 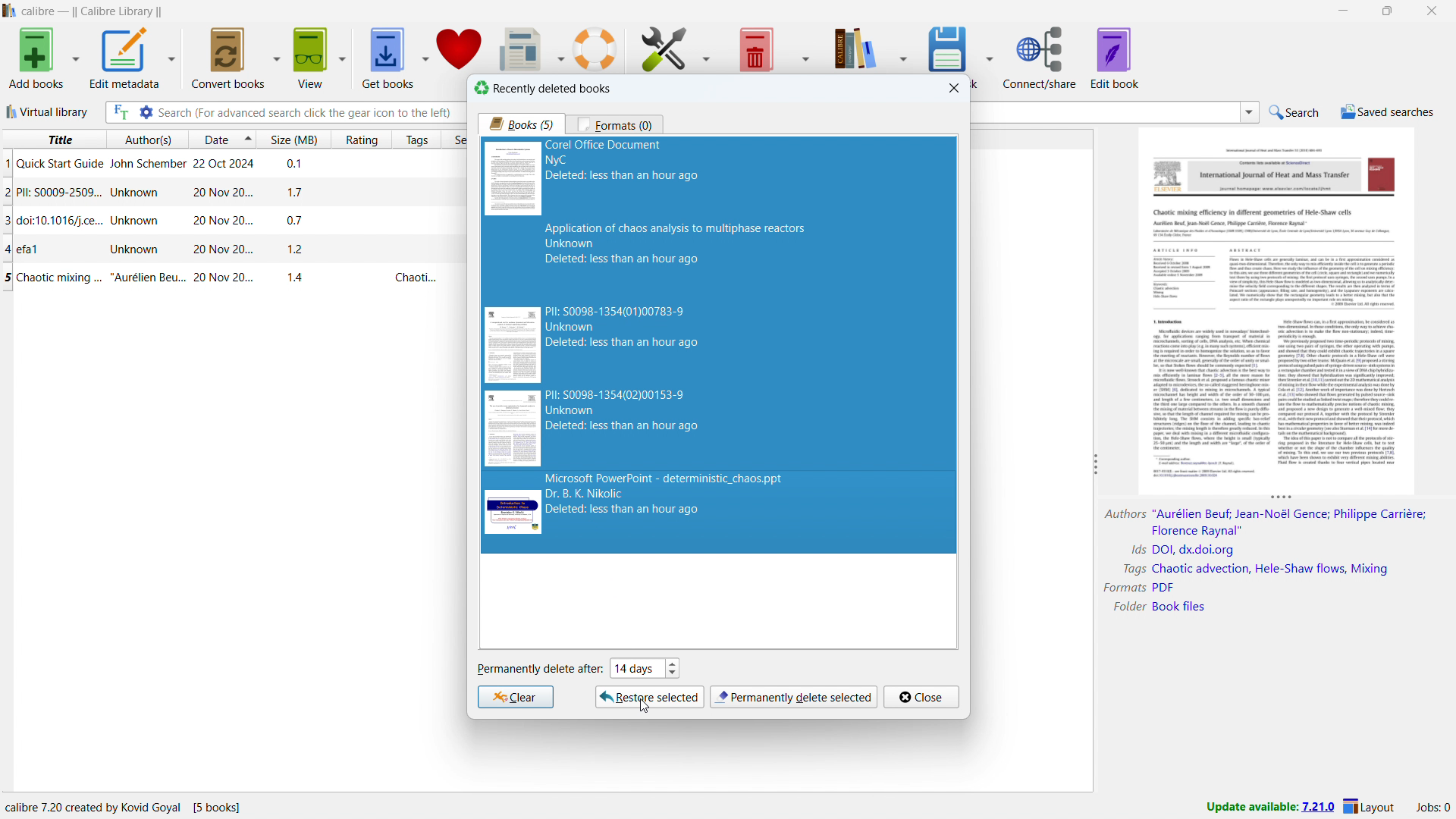 What do you see at coordinates (1263, 562) in the screenshot?
I see `book details` at bounding box center [1263, 562].